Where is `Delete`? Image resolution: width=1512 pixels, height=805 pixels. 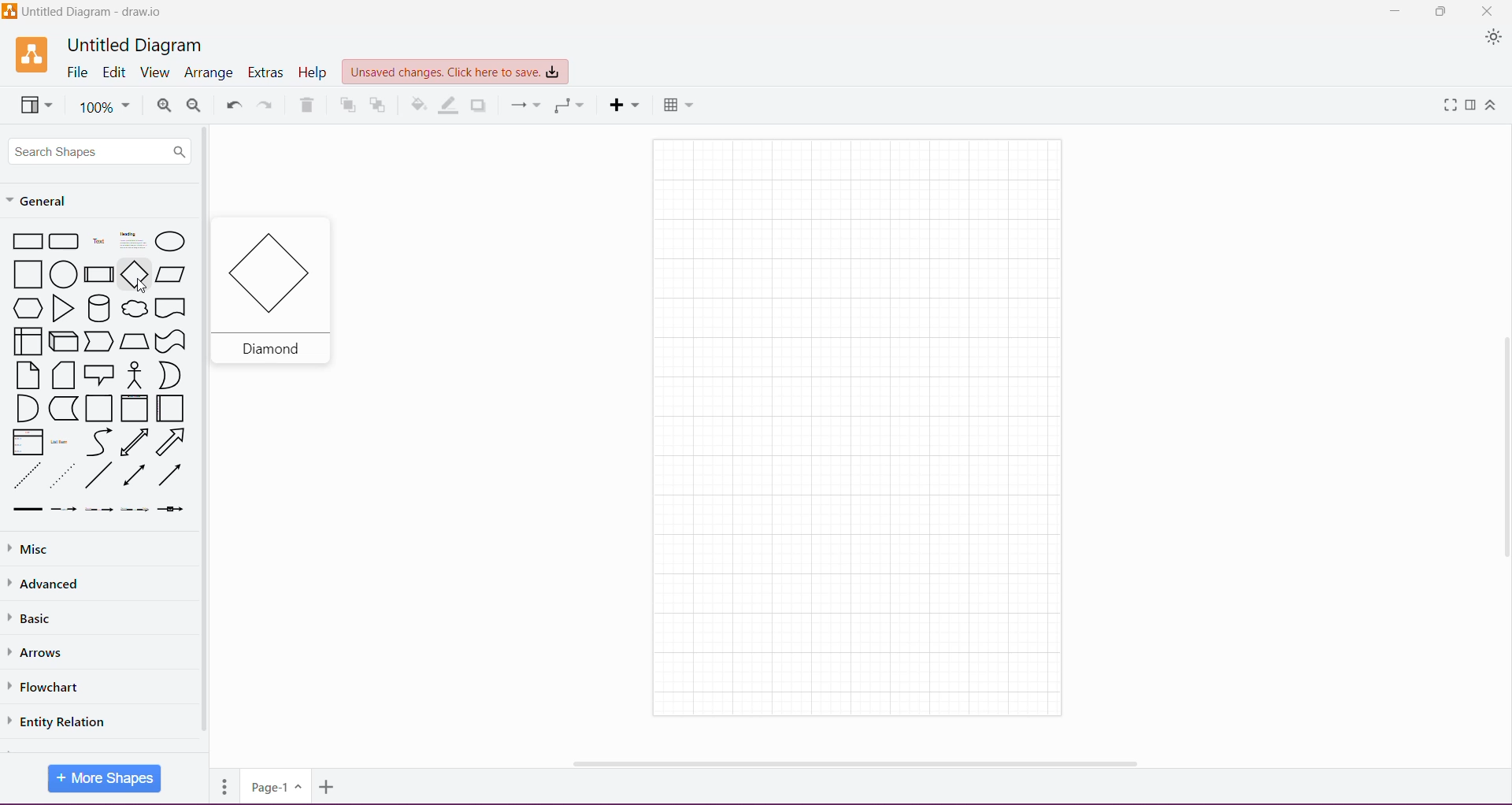
Delete is located at coordinates (306, 105).